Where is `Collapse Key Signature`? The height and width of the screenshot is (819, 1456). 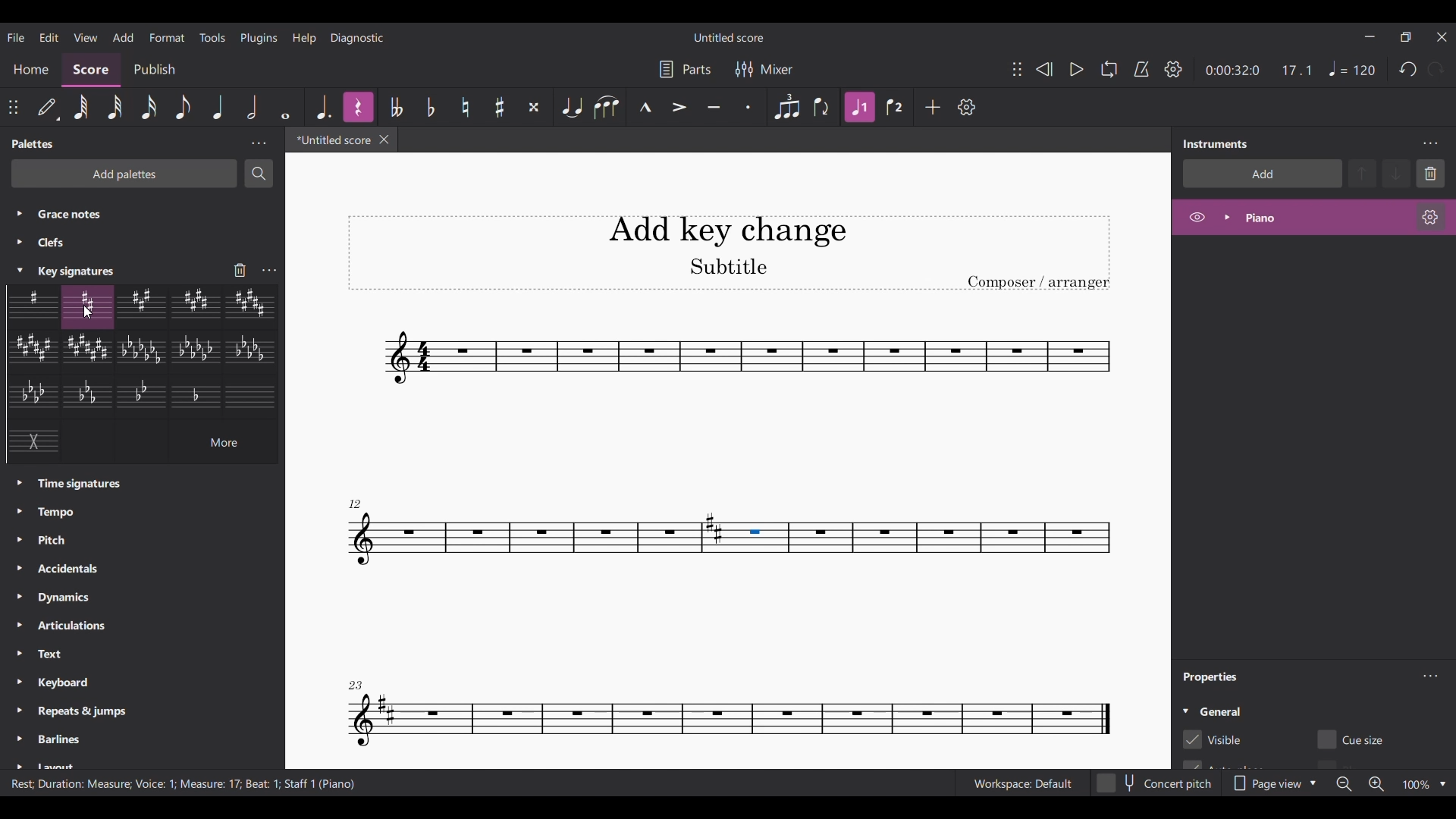
Collapse Key Signature is located at coordinates (20, 271).